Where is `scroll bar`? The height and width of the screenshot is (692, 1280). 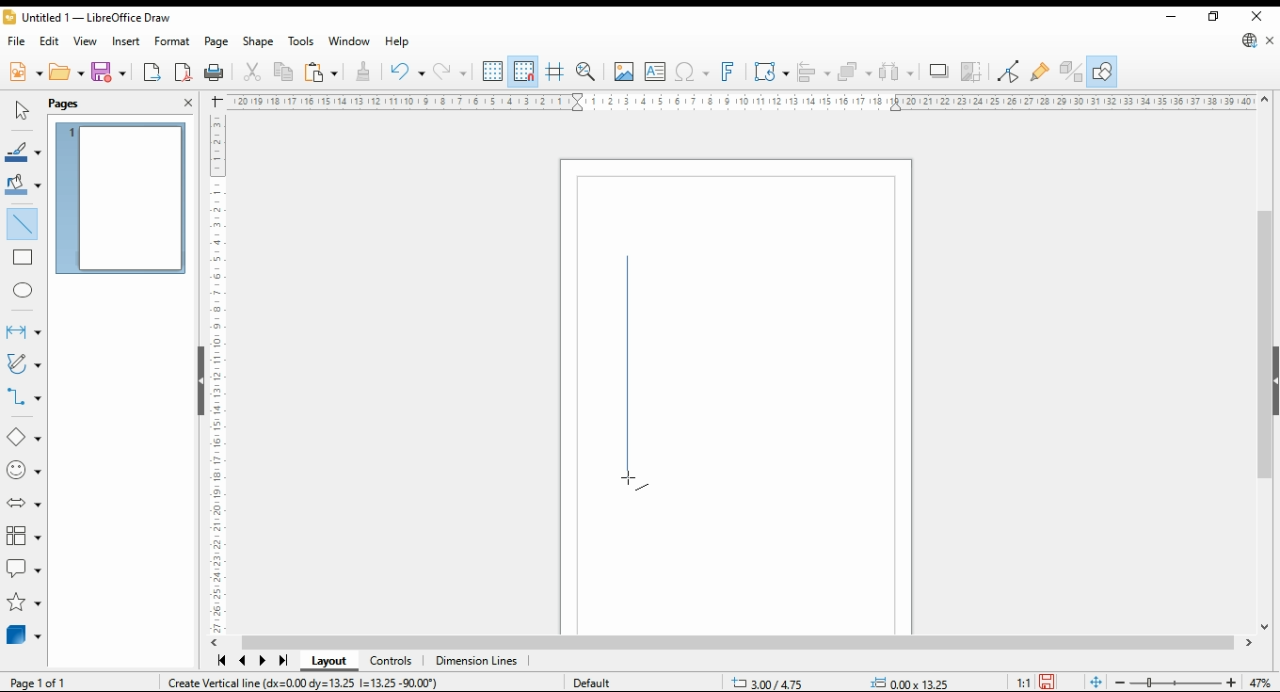 scroll bar is located at coordinates (1259, 361).